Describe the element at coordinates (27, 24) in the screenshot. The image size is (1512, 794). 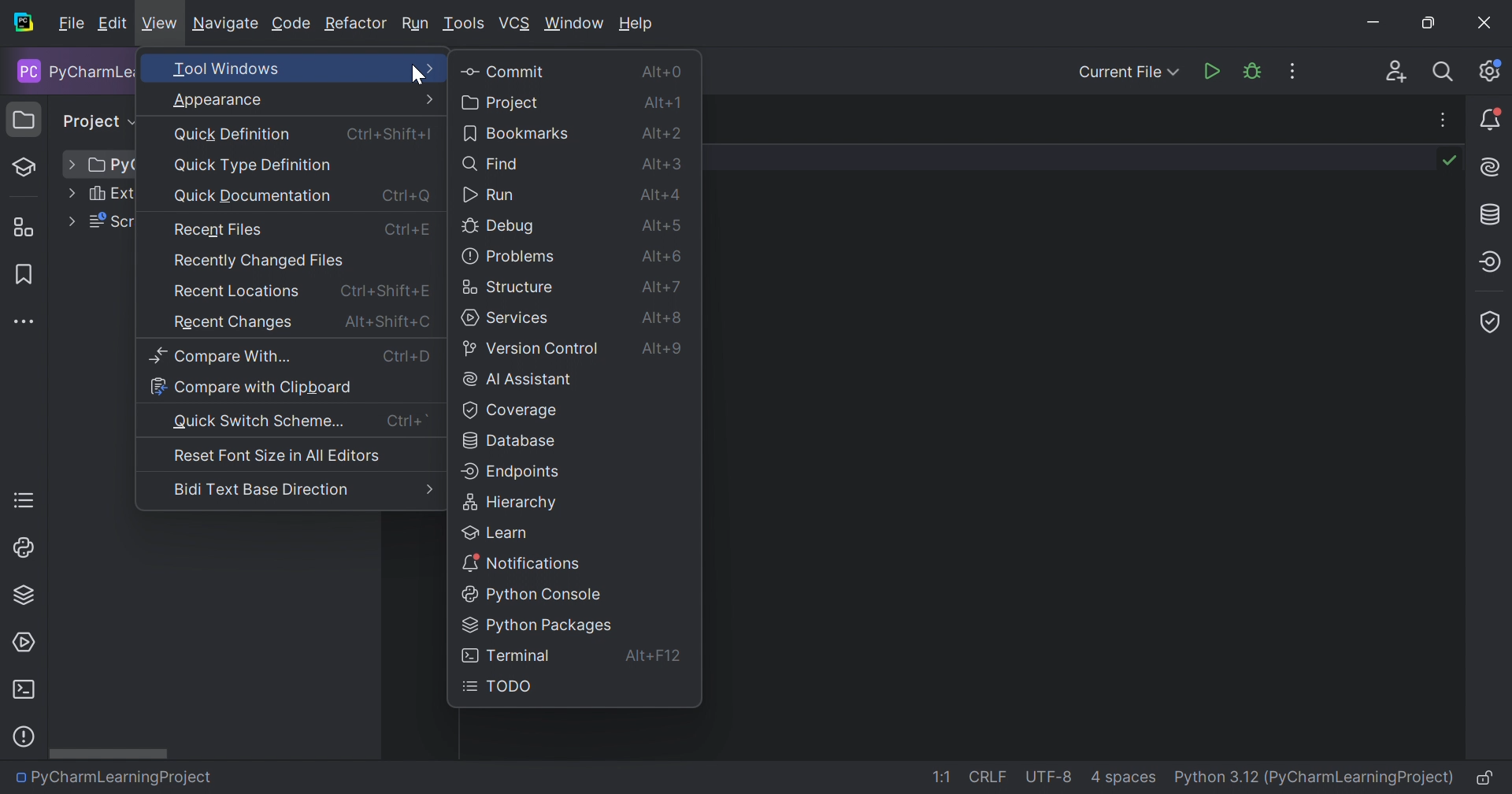
I see `PyCharm icon` at that location.